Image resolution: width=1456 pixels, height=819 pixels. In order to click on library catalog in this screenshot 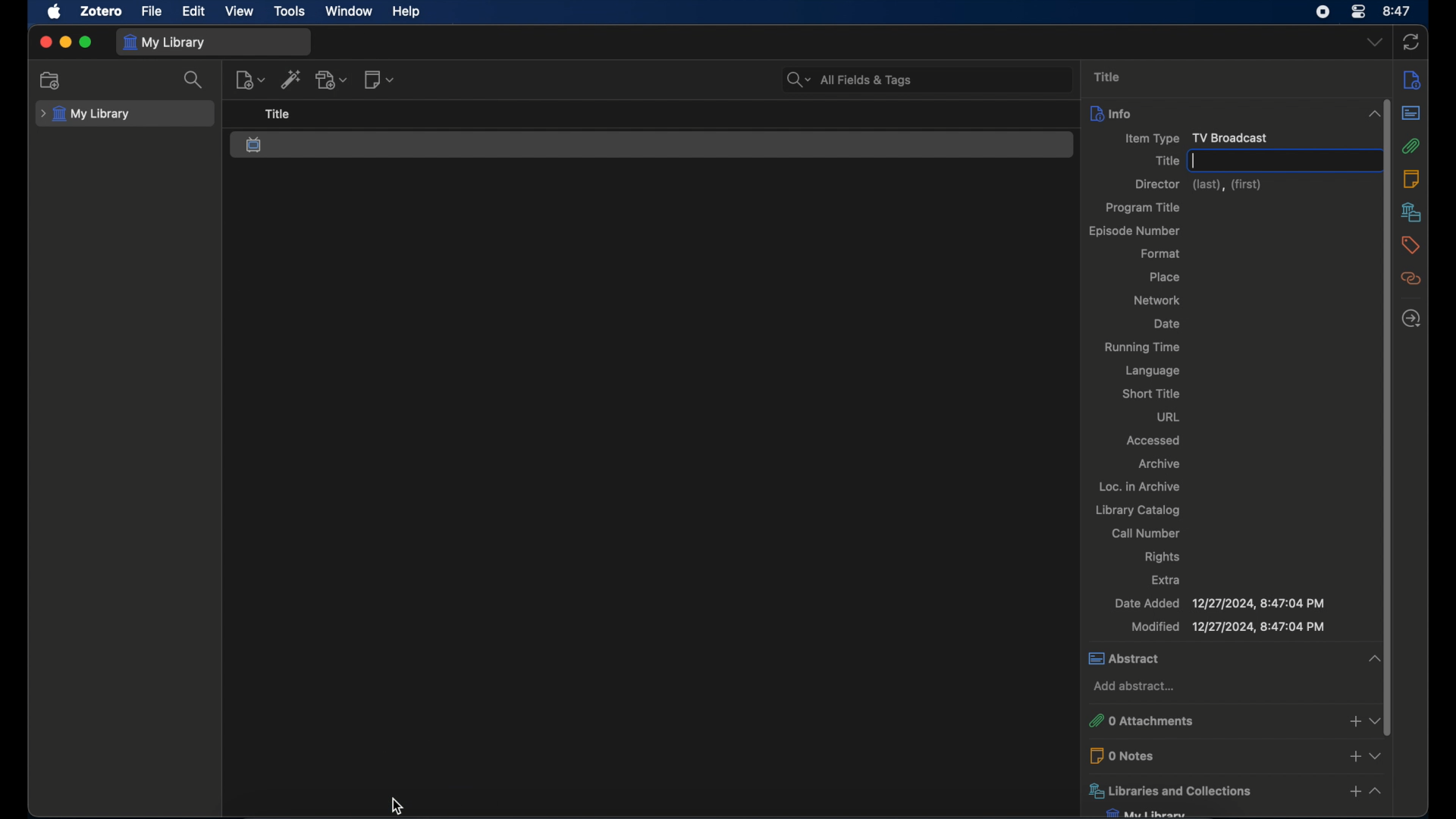, I will do `click(1138, 511)`.